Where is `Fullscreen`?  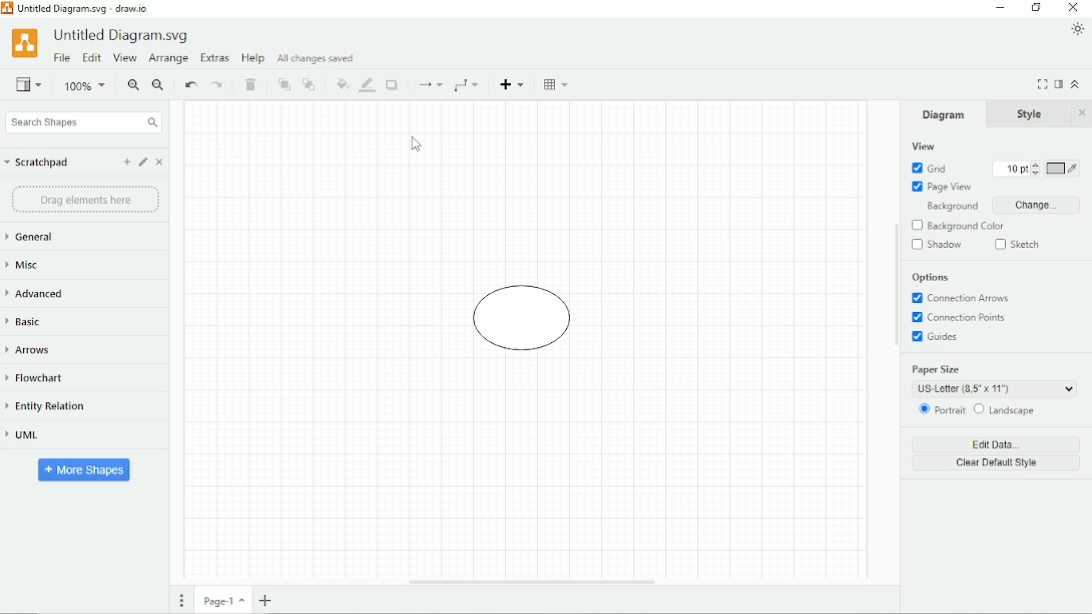 Fullscreen is located at coordinates (1042, 84).